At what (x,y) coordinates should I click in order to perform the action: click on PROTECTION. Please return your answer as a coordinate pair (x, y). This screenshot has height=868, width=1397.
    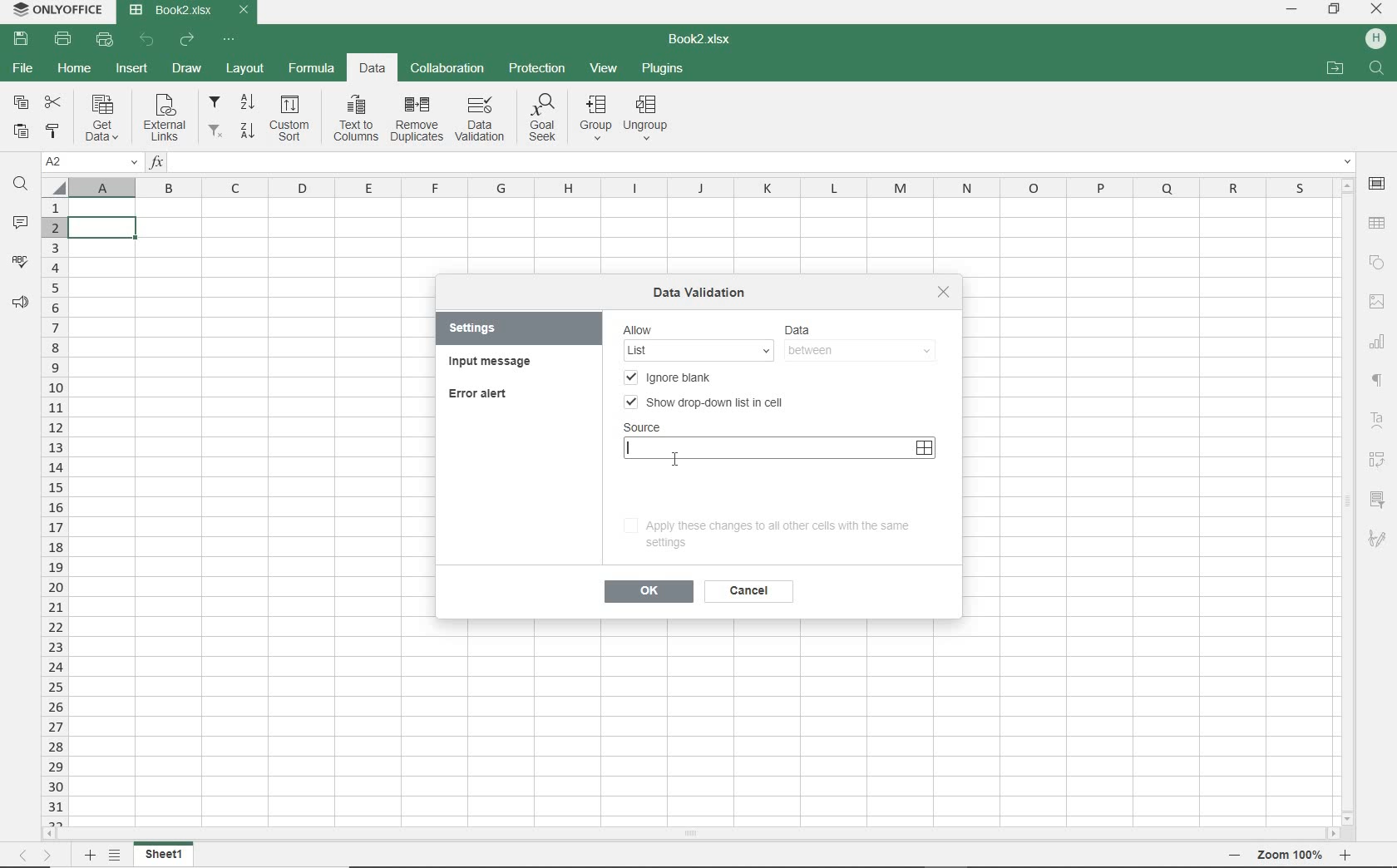
    Looking at the image, I should click on (536, 70).